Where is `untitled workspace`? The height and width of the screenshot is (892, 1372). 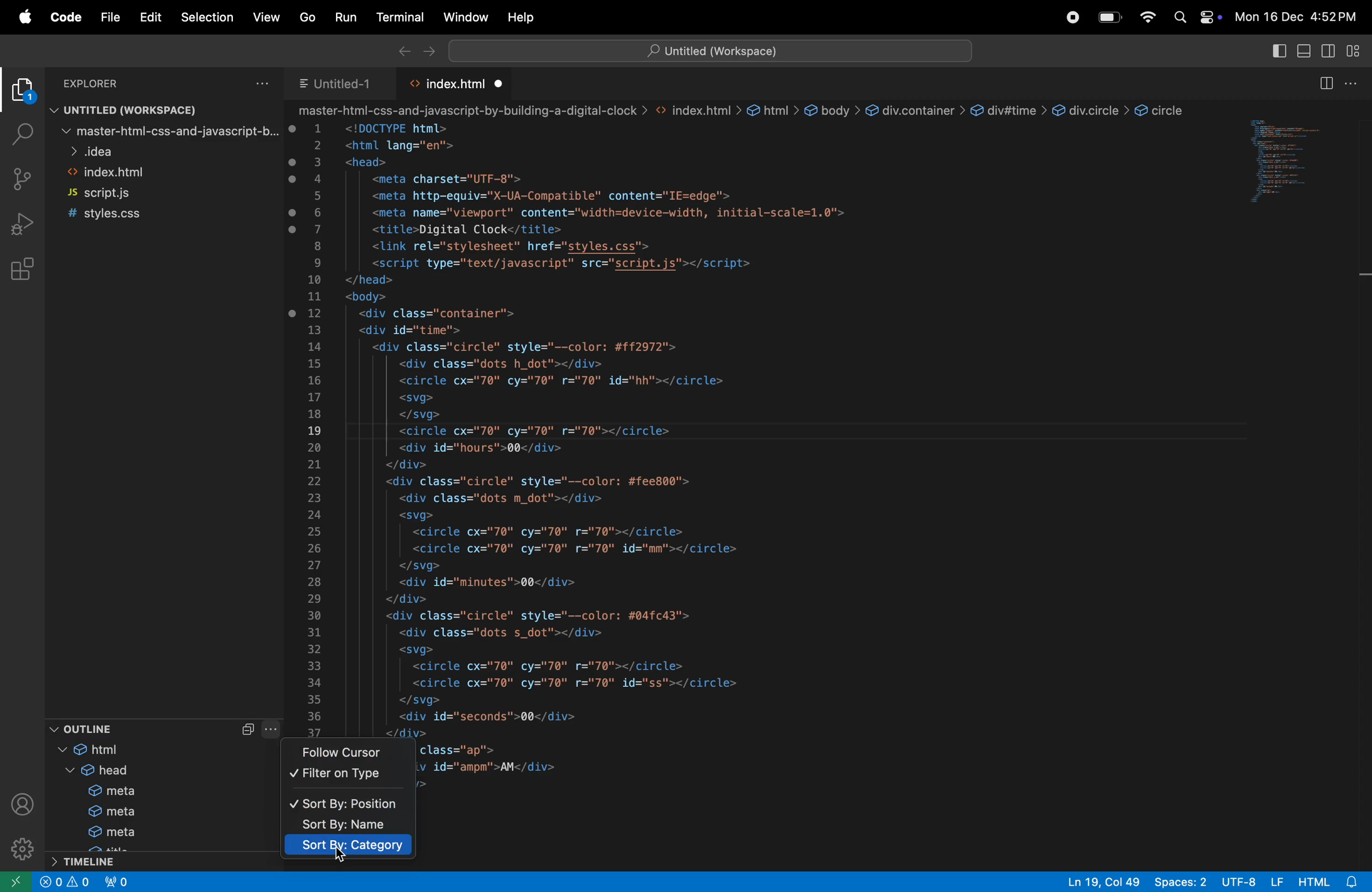
untitled workspace is located at coordinates (150, 109).